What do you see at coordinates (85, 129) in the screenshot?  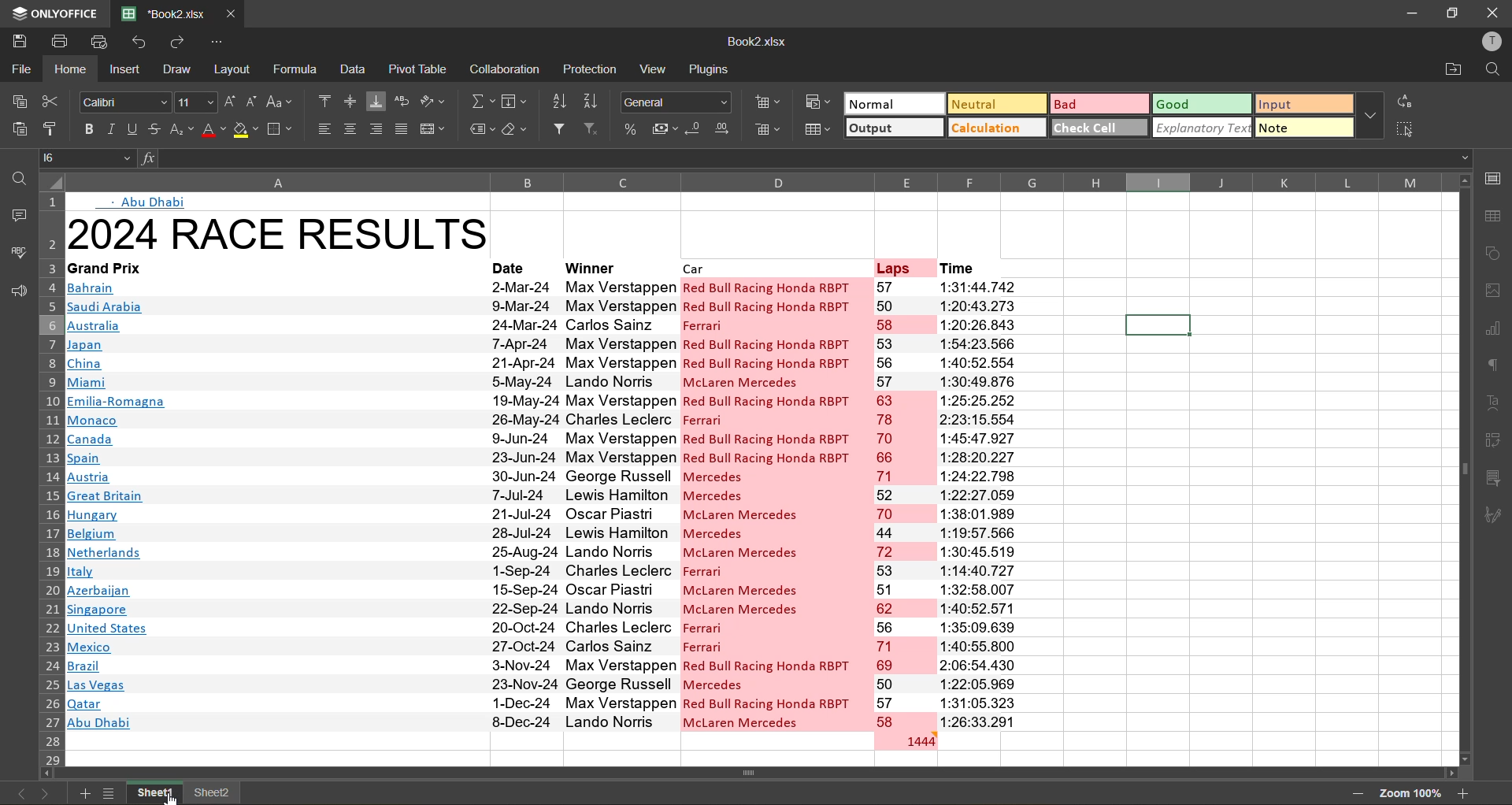 I see `bold` at bounding box center [85, 129].